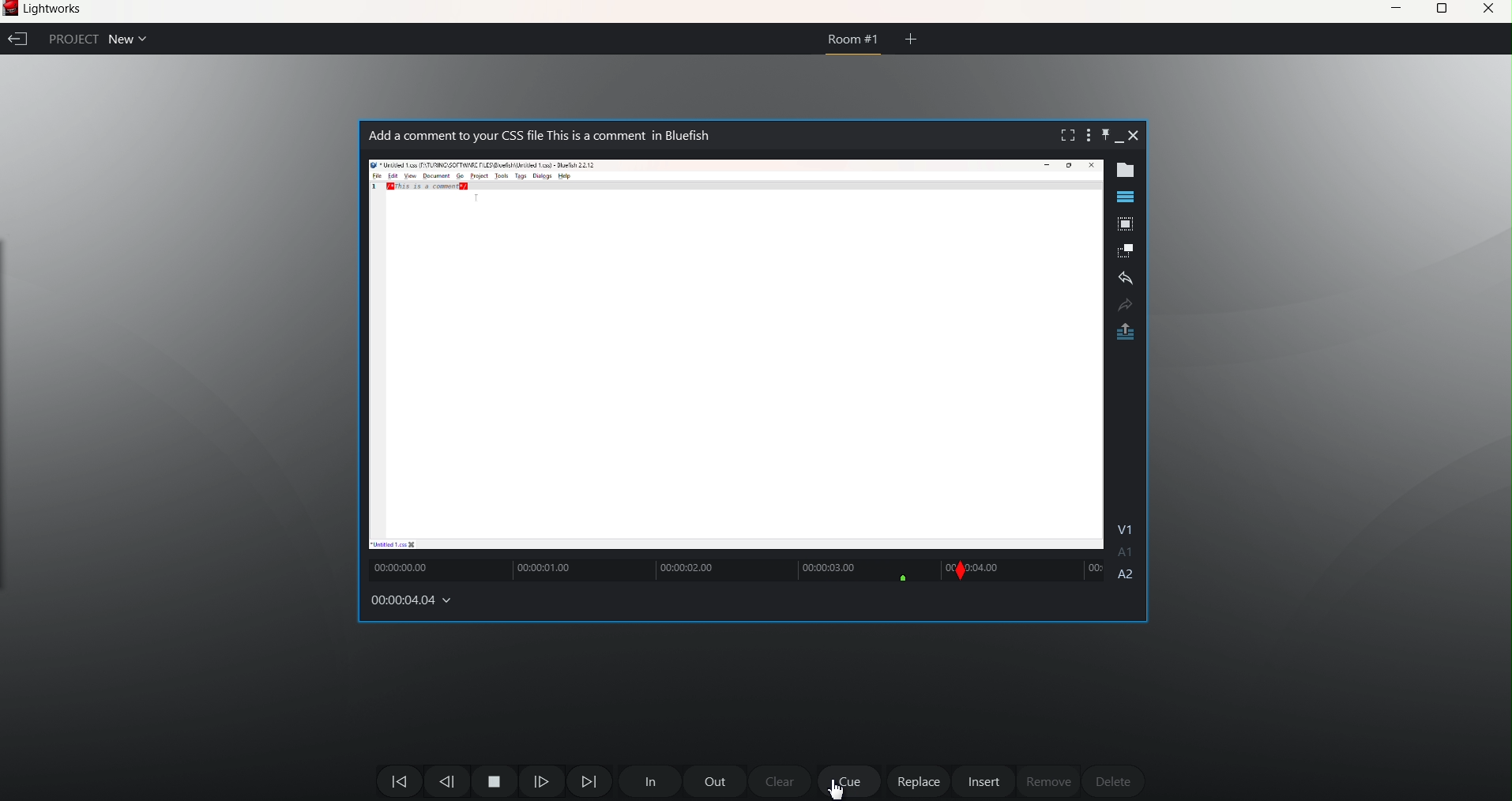 Image resolution: width=1512 pixels, height=801 pixels. I want to click on clip track, so click(656, 569).